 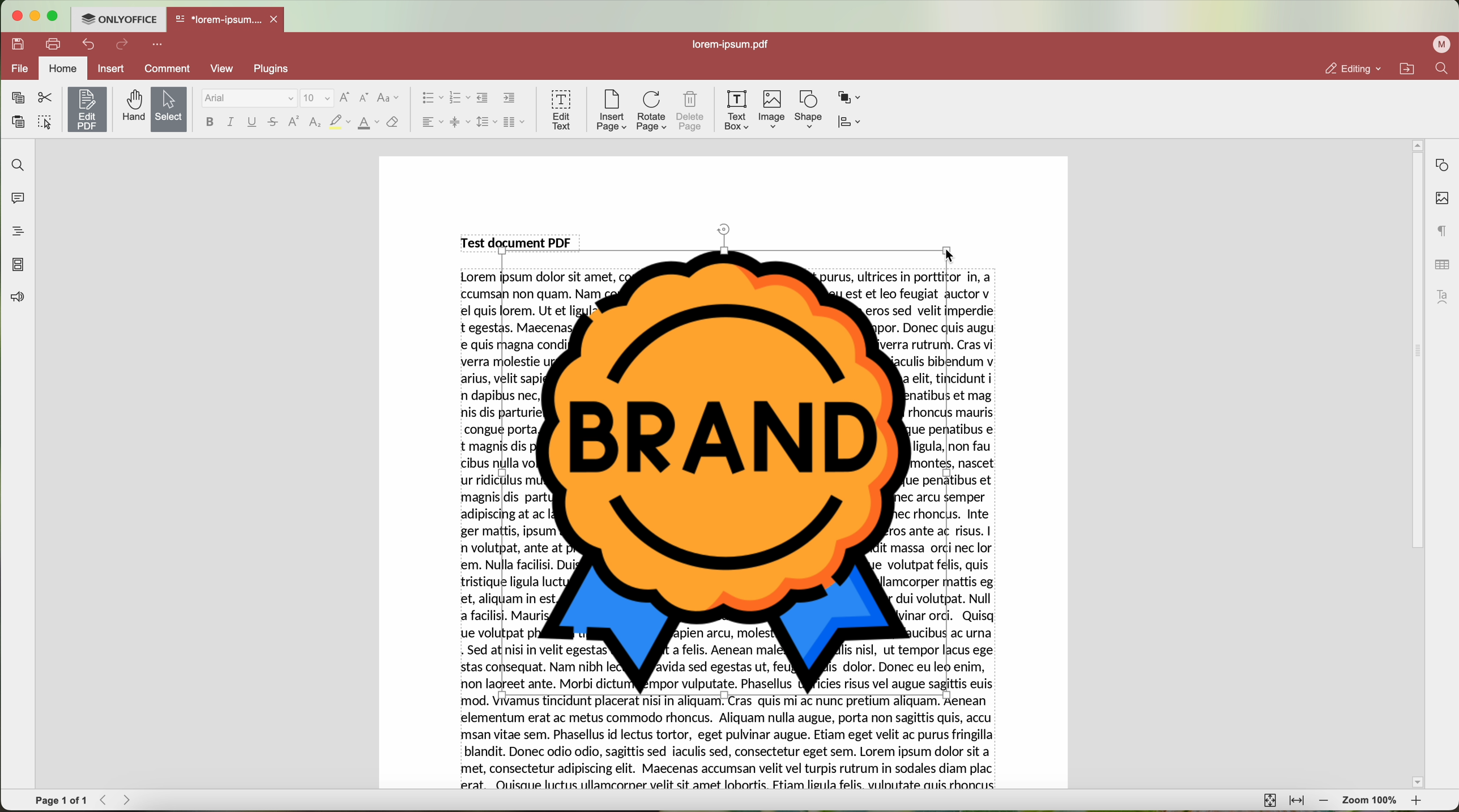 What do you see at coordinates (809, 110) in the screenshot?
I see `shape` at bounding box center [809, 110].